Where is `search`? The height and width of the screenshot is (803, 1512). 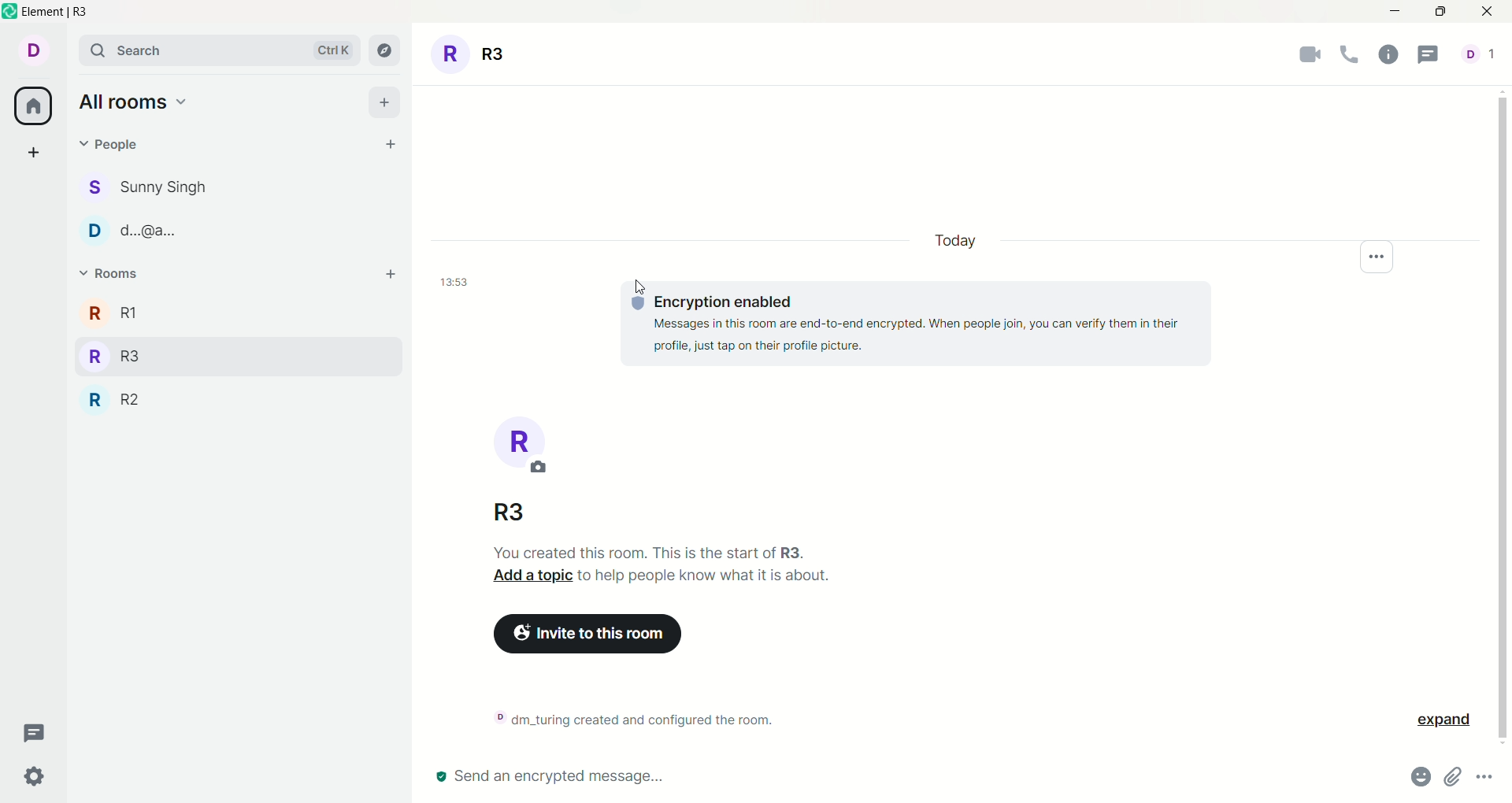
search is located at coordinates (216, 50).